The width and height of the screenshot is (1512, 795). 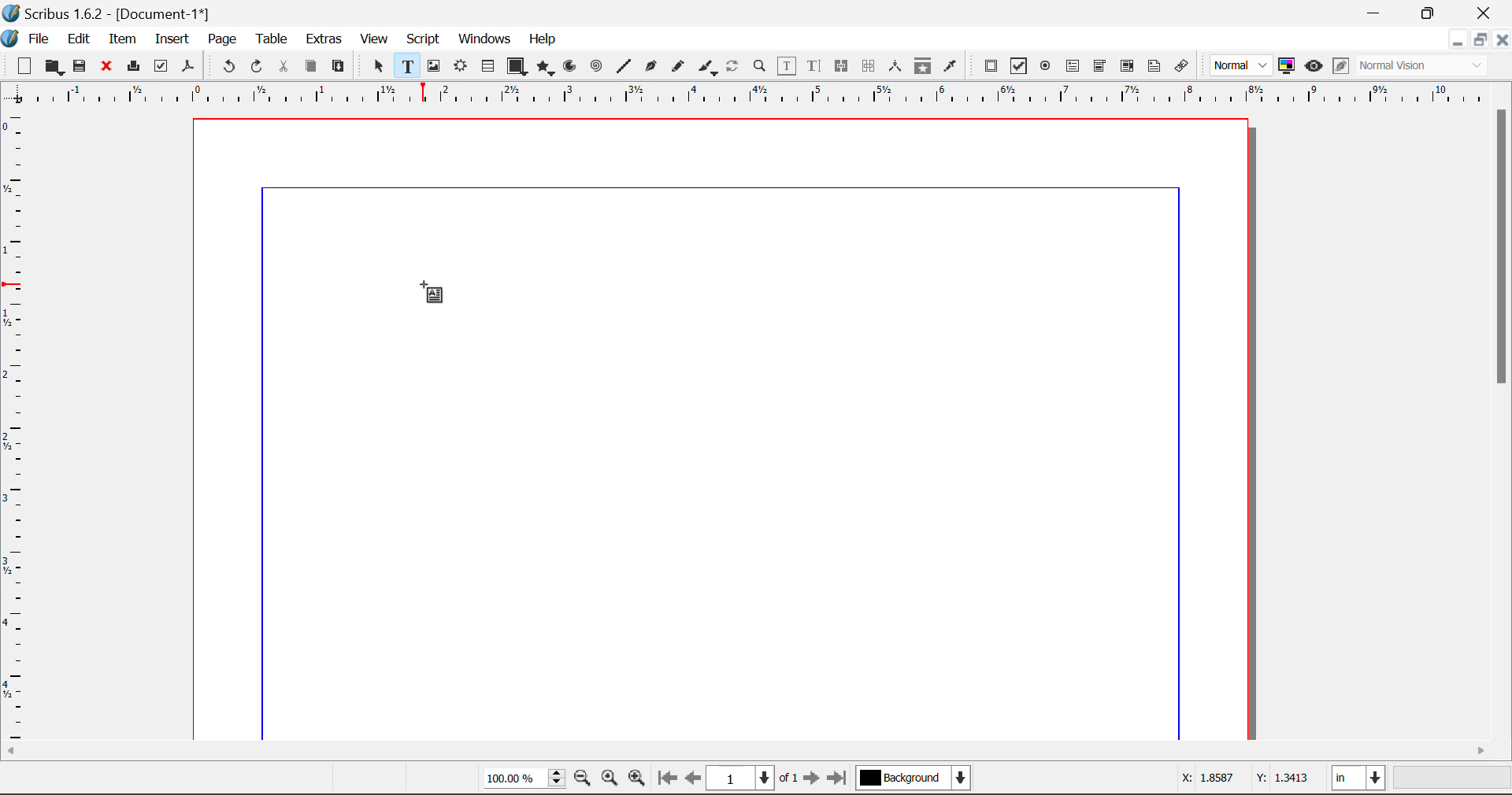 I want to click on Link Annotation, so click(x=1180, y=66).